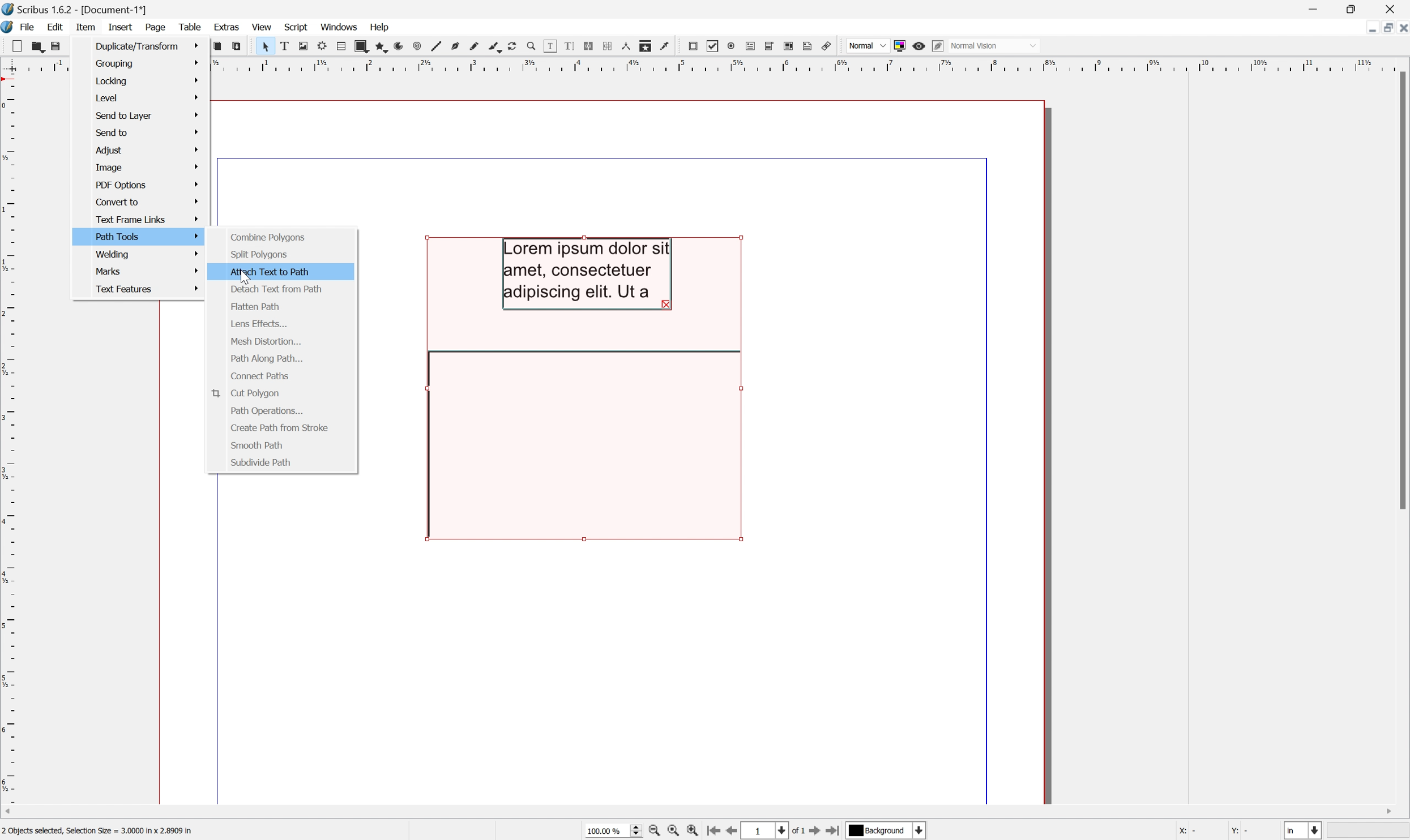 This screenshot has height=840, width=1410. I want to click on Edit text with story editor, so click(567, 45).